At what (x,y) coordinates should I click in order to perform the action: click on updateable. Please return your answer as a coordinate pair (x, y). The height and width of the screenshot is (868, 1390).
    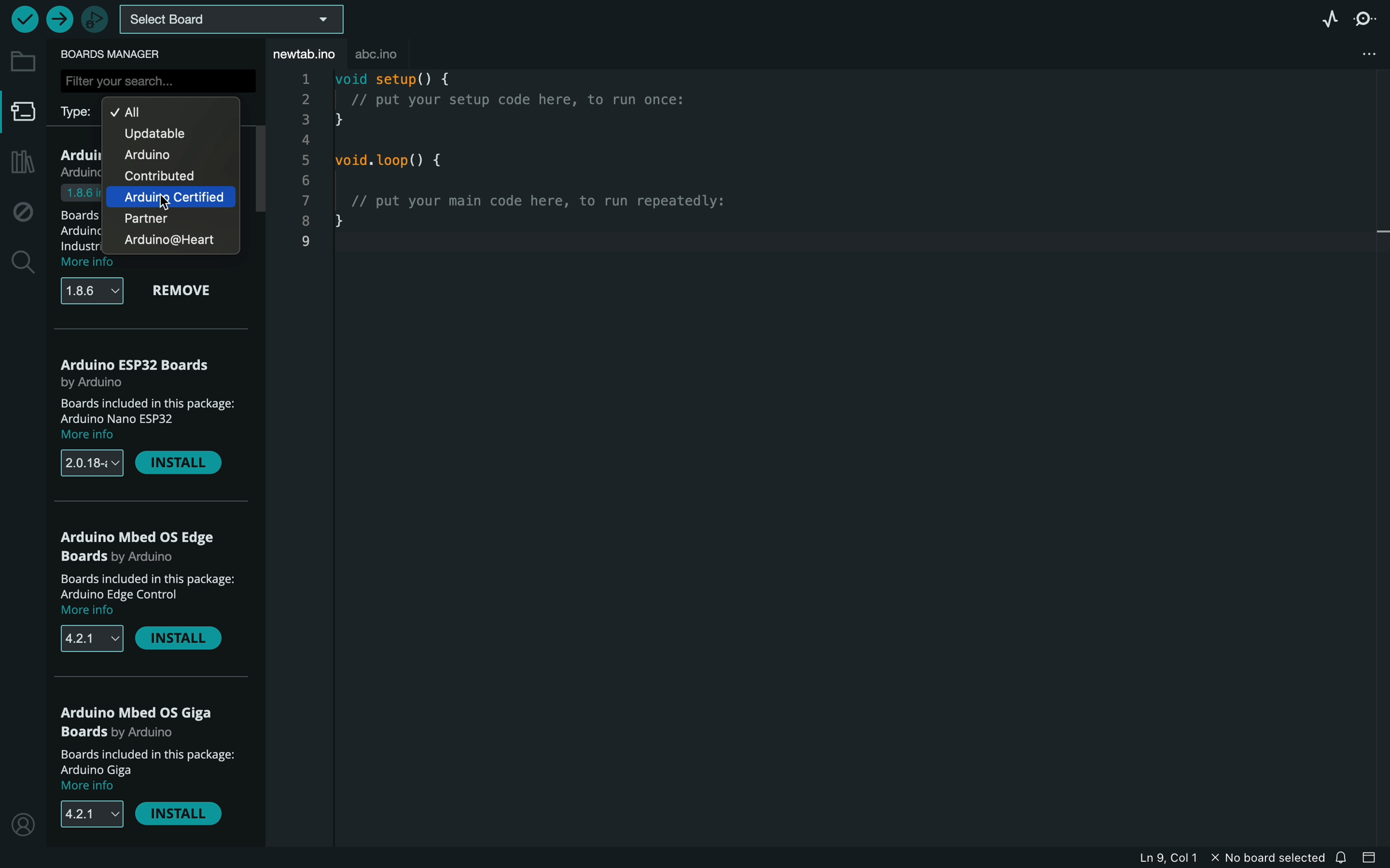
    Looking at the image, I should click on (165, 133).